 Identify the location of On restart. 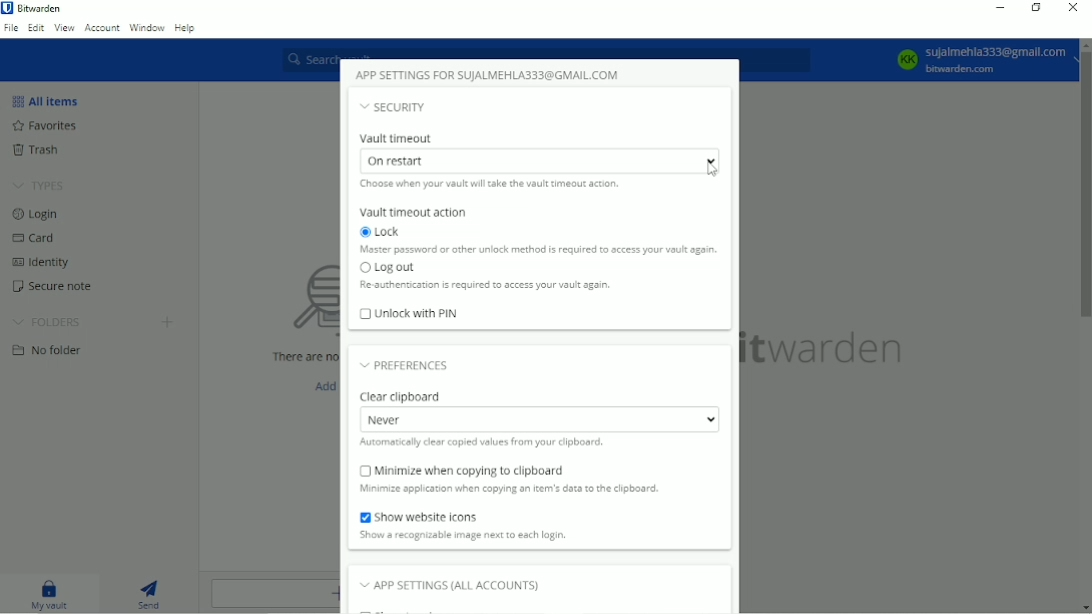
(543, 160).